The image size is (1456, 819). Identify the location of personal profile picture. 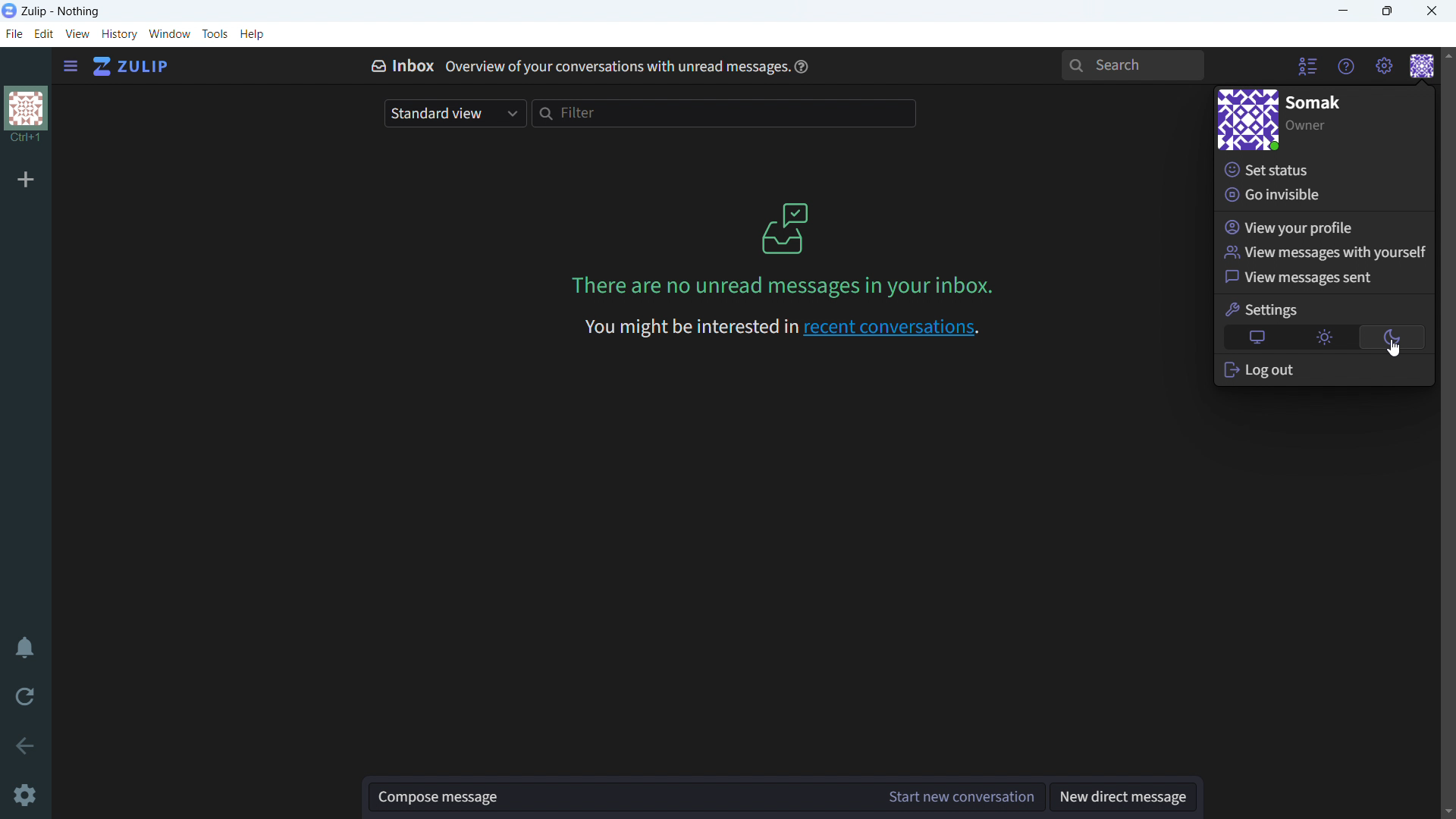
(1248, 120).